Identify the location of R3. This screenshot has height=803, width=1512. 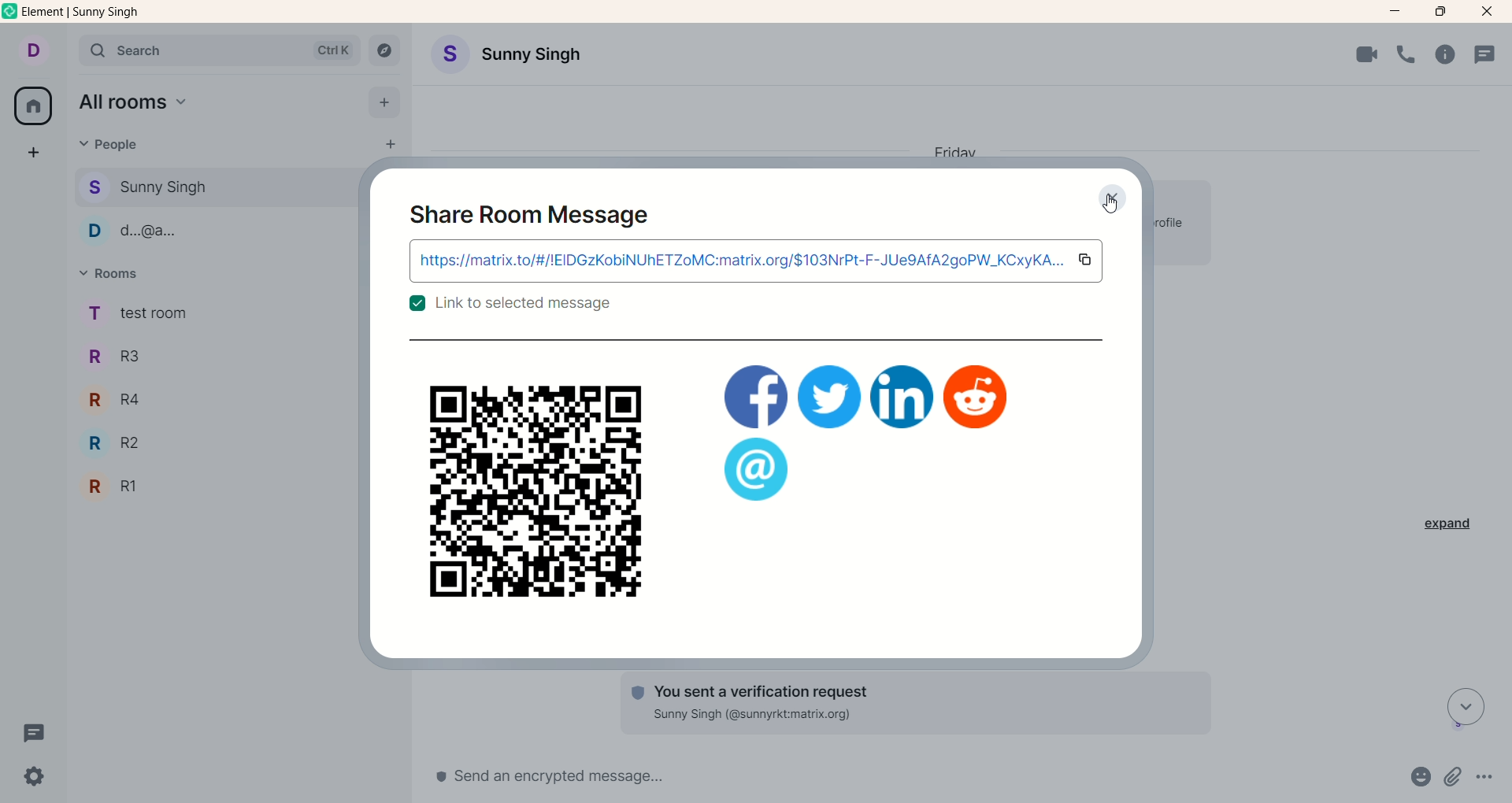
(120, 359).